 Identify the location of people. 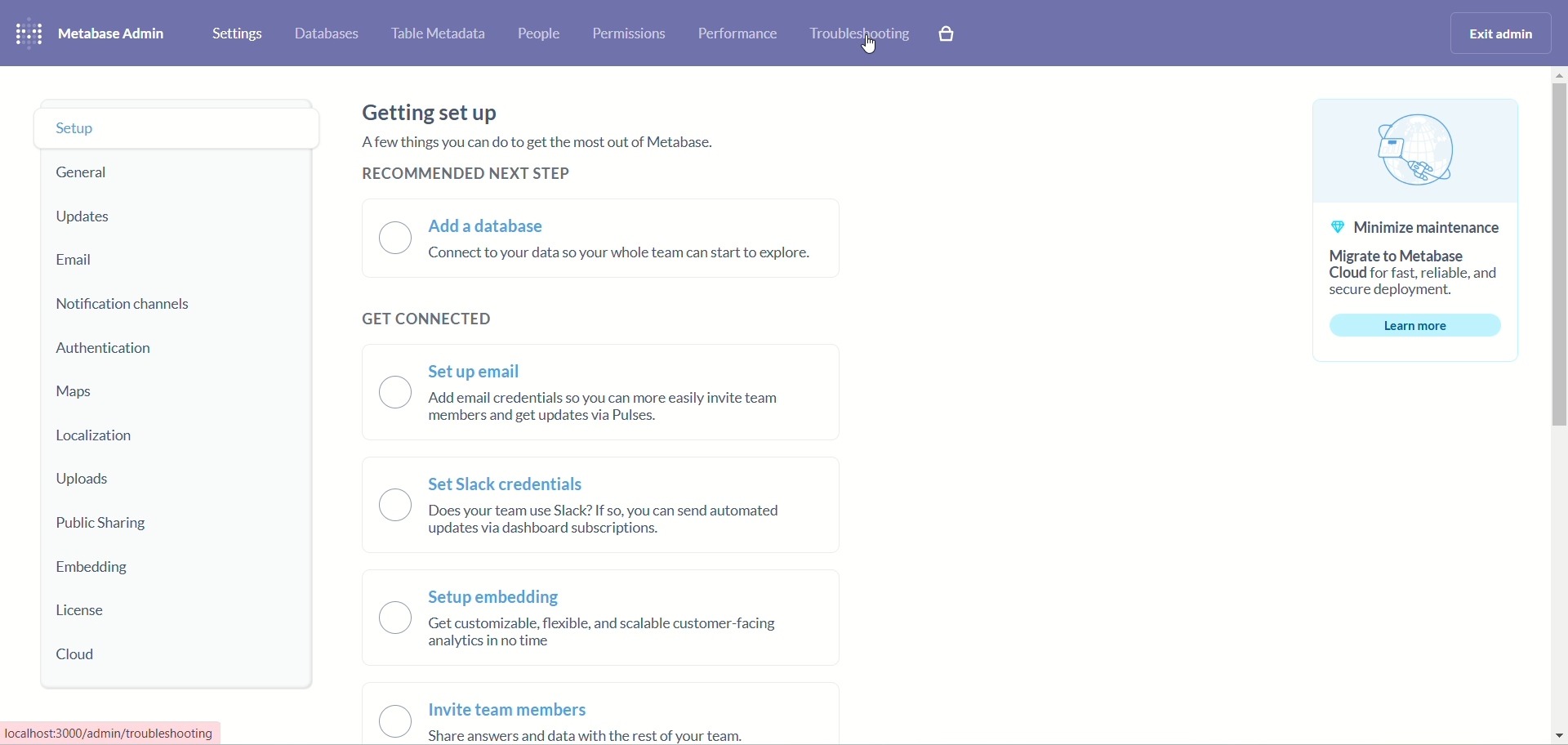
(541, 34).